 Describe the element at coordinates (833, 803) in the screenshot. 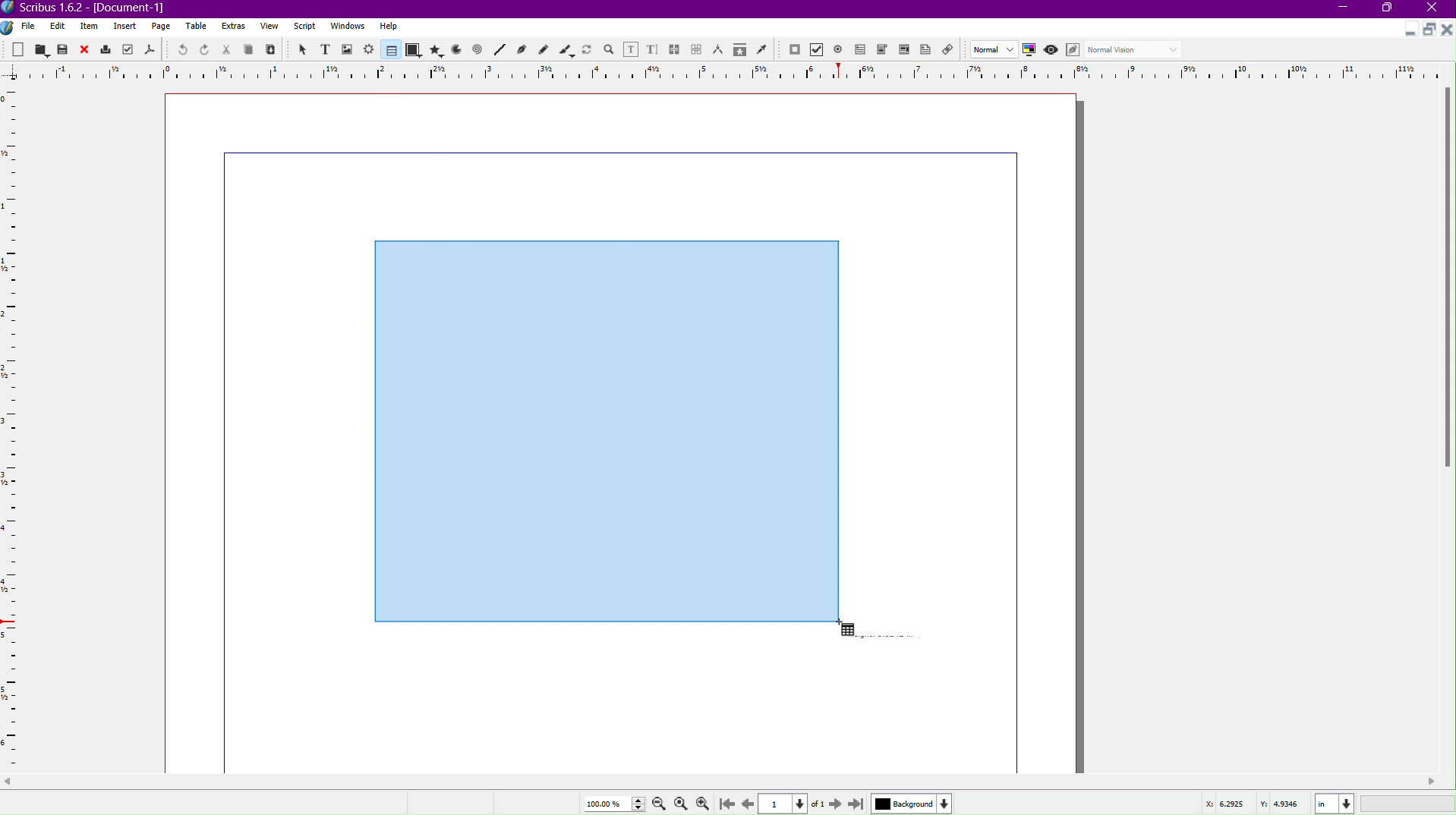

I see `Next Page` at that location.